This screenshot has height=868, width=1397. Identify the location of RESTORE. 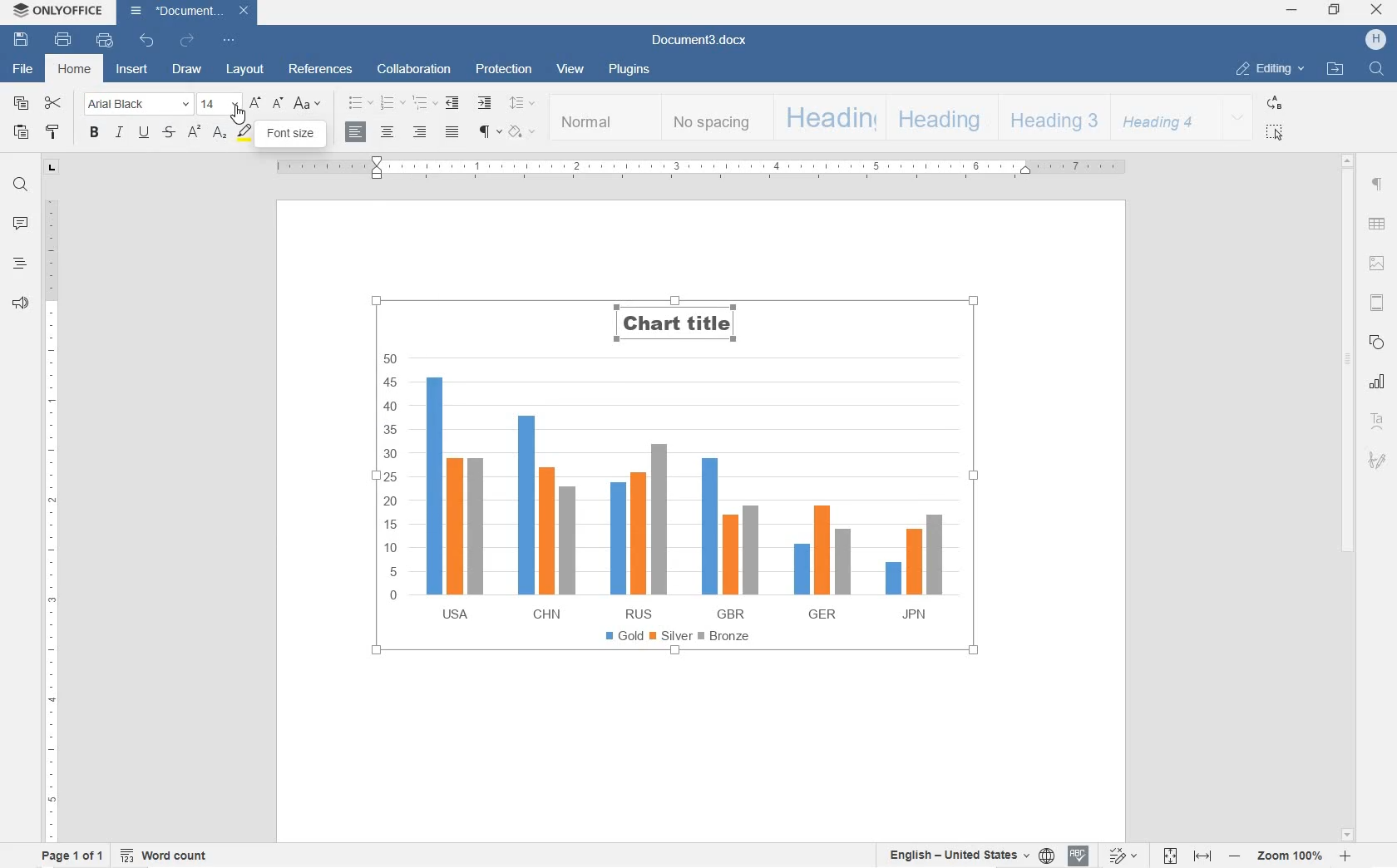
(1336, 11).